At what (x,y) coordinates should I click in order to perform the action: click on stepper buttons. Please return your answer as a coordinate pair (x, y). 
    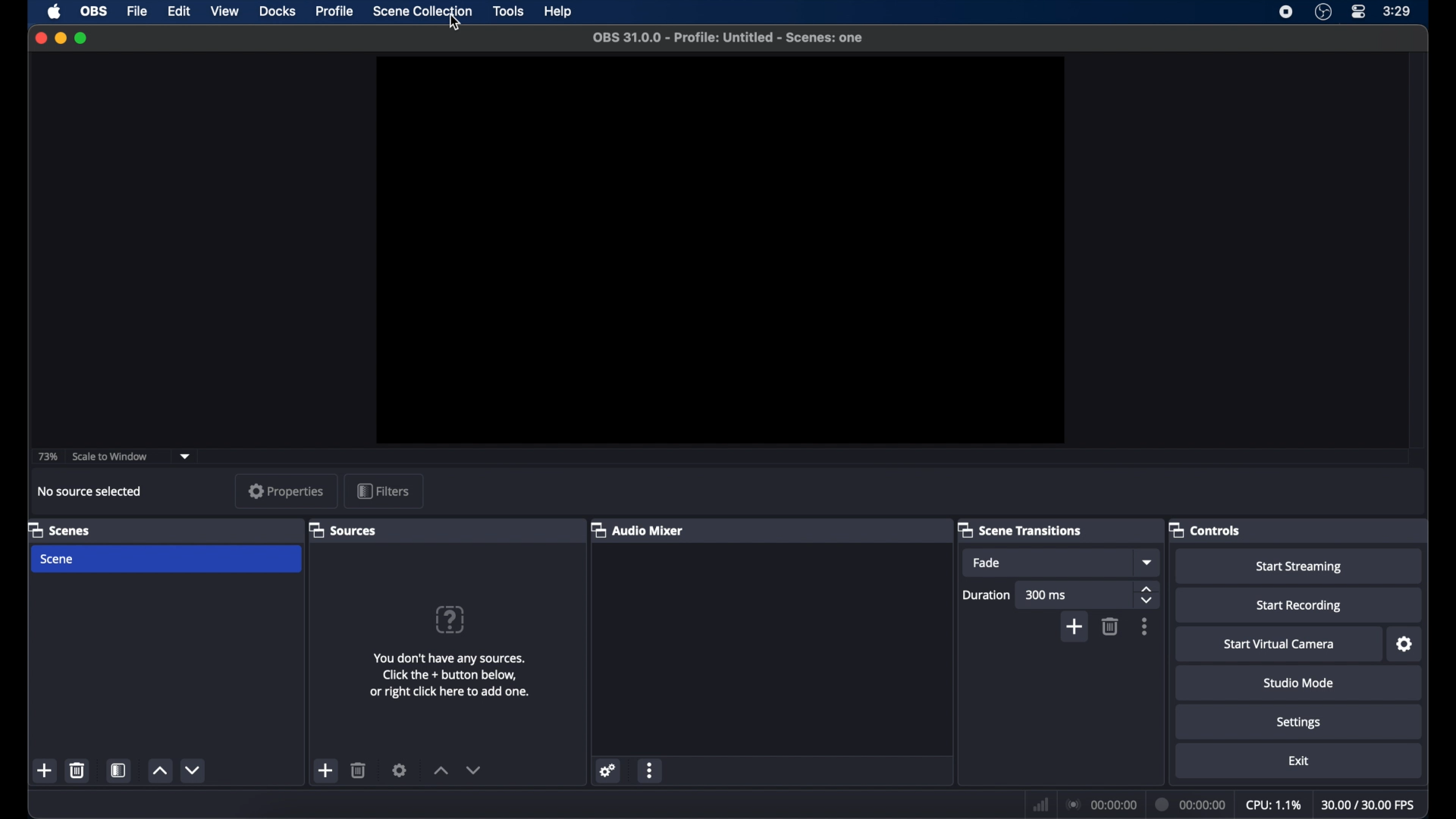
    Looking at the image, I should click on (1147, 595).